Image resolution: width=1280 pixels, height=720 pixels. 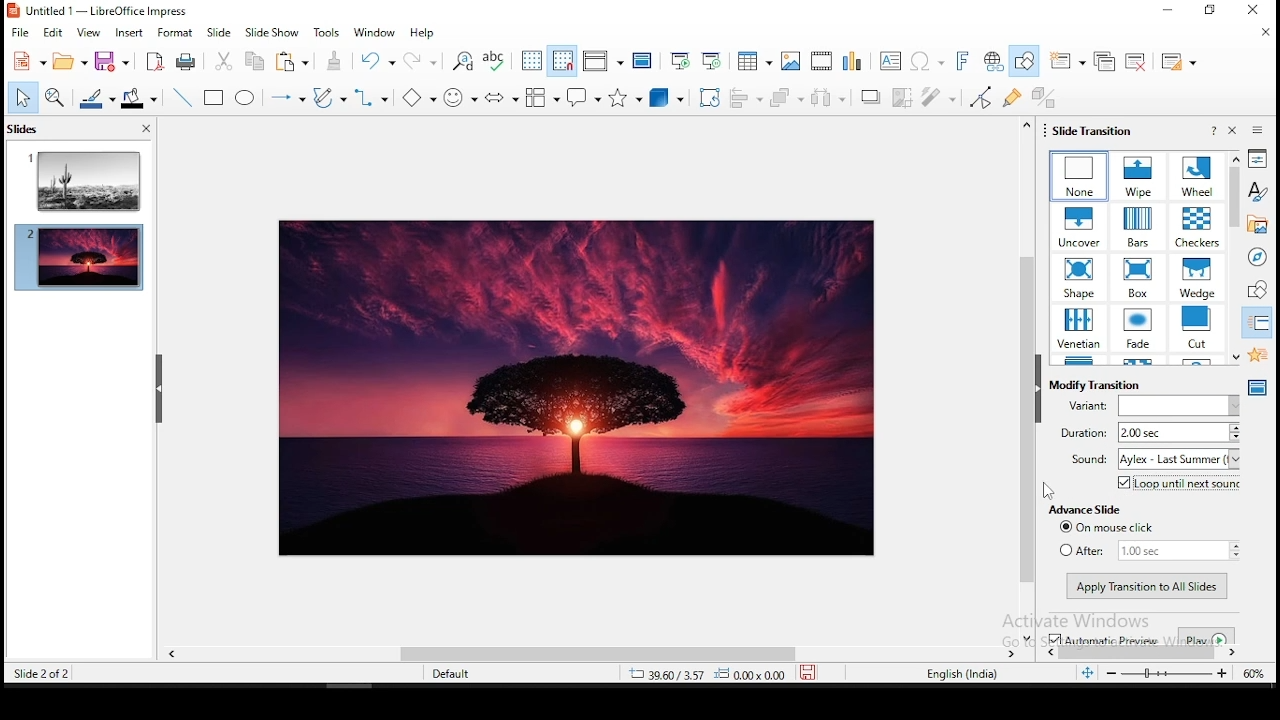 What do you see at coordinates (1070, 59) in the screenshot?
I see `new slide` at bounding box center [1070, 59].